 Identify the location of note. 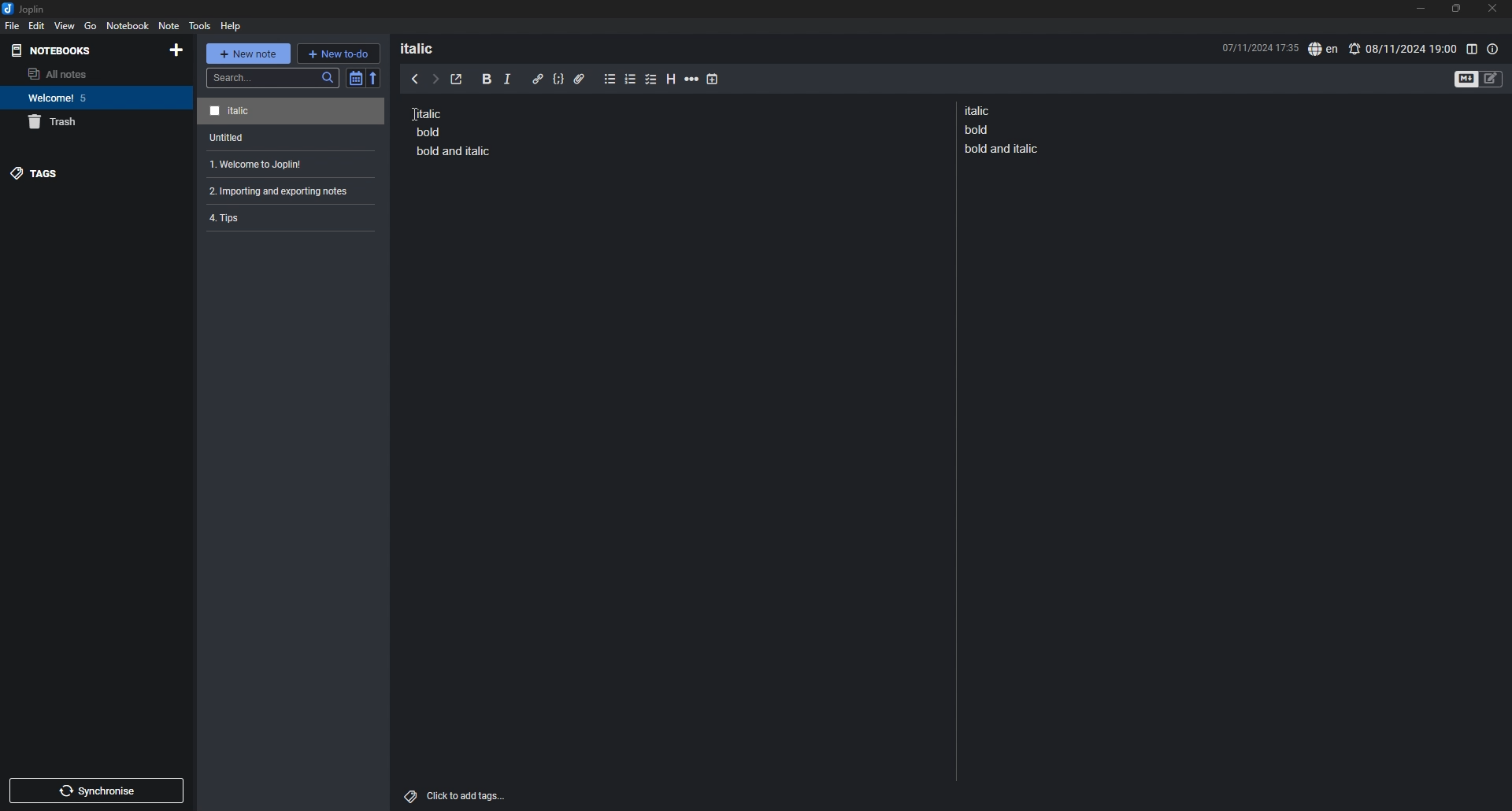
(1005, 129).